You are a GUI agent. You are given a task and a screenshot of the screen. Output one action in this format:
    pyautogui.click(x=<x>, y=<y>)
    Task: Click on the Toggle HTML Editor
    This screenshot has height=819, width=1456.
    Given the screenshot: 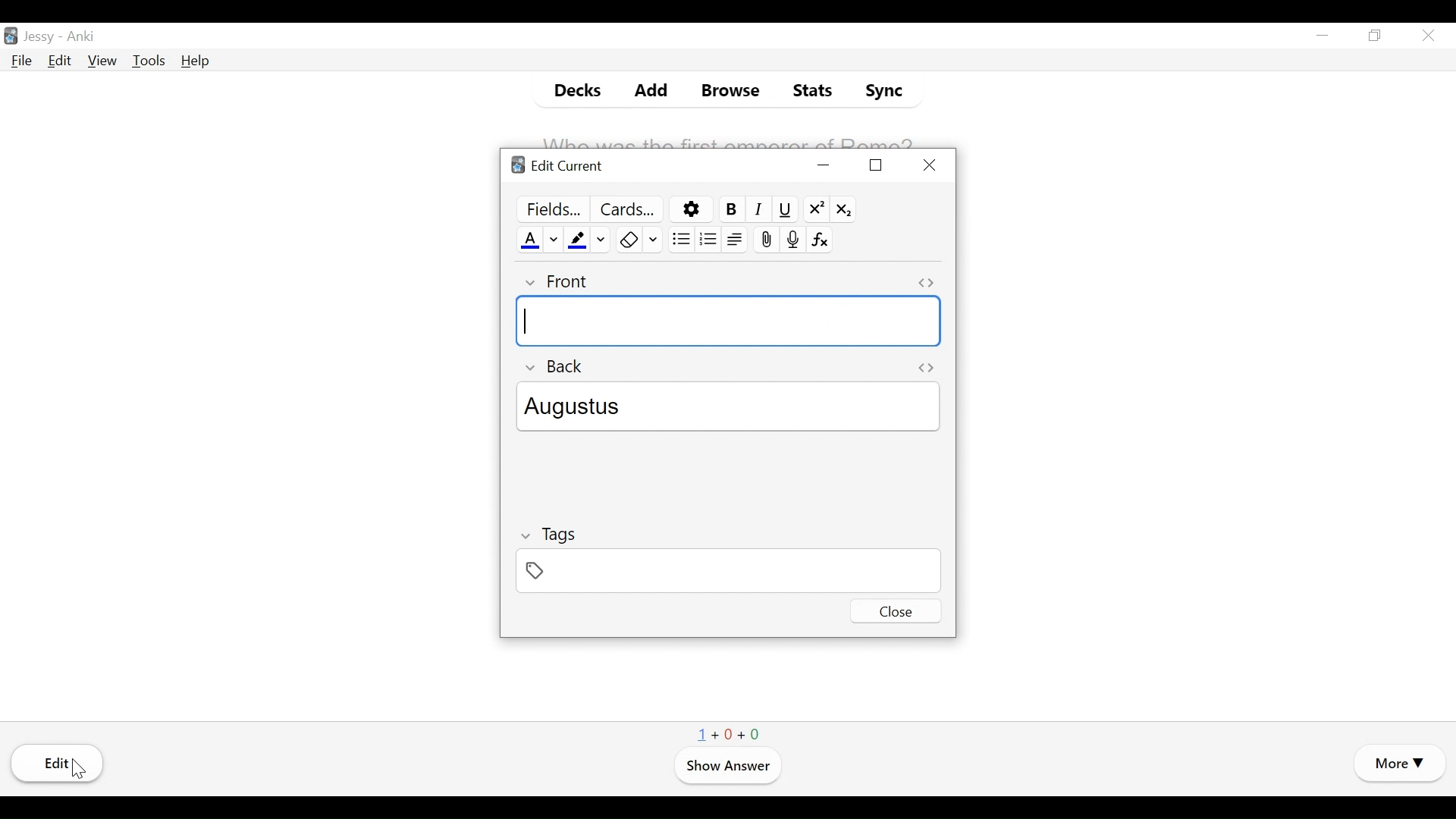 What is the action you would take?
    pyautogui.click(x=924, y=283)
    